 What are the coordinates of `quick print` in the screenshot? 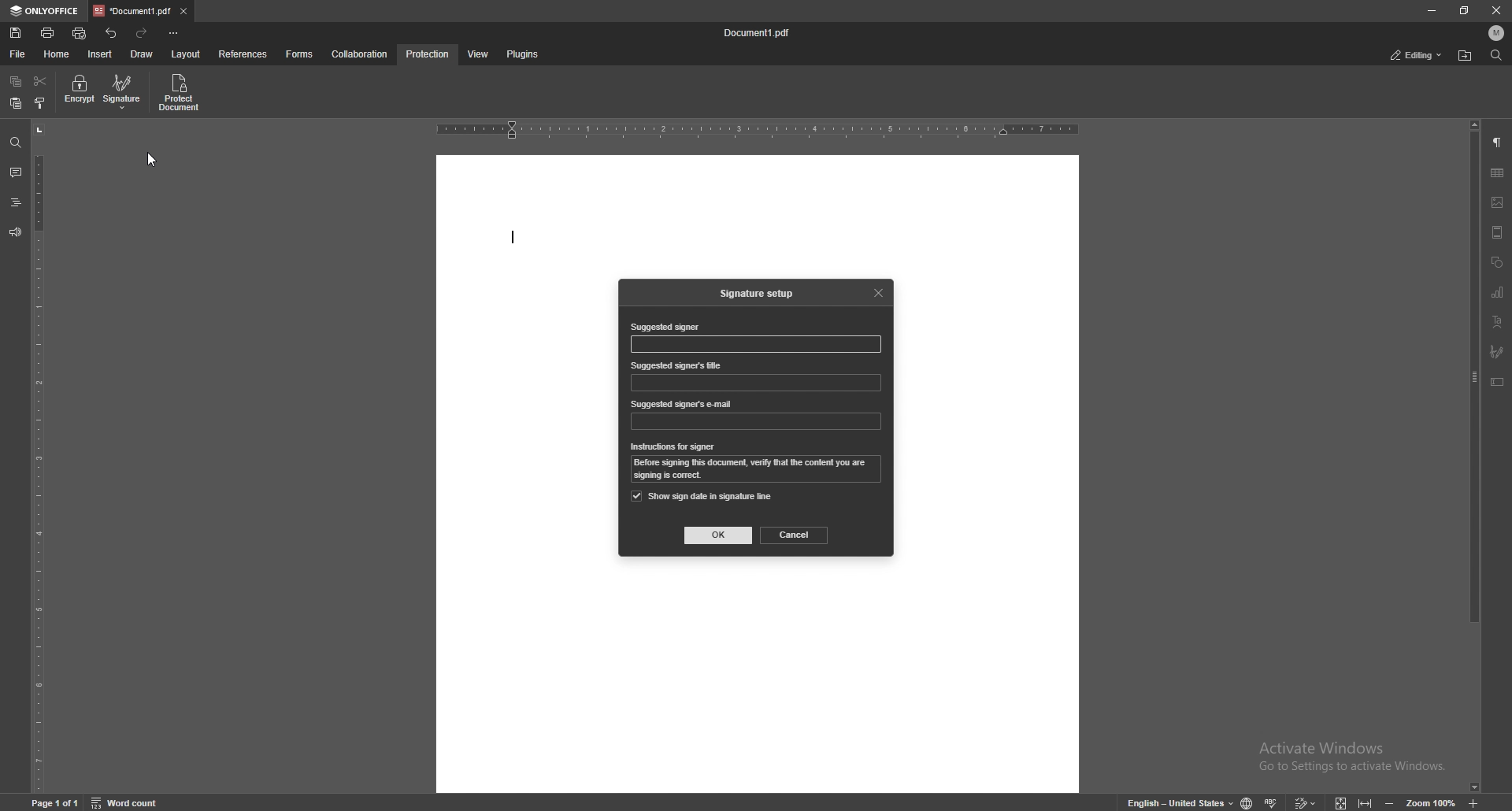 It's located at (80, 35).